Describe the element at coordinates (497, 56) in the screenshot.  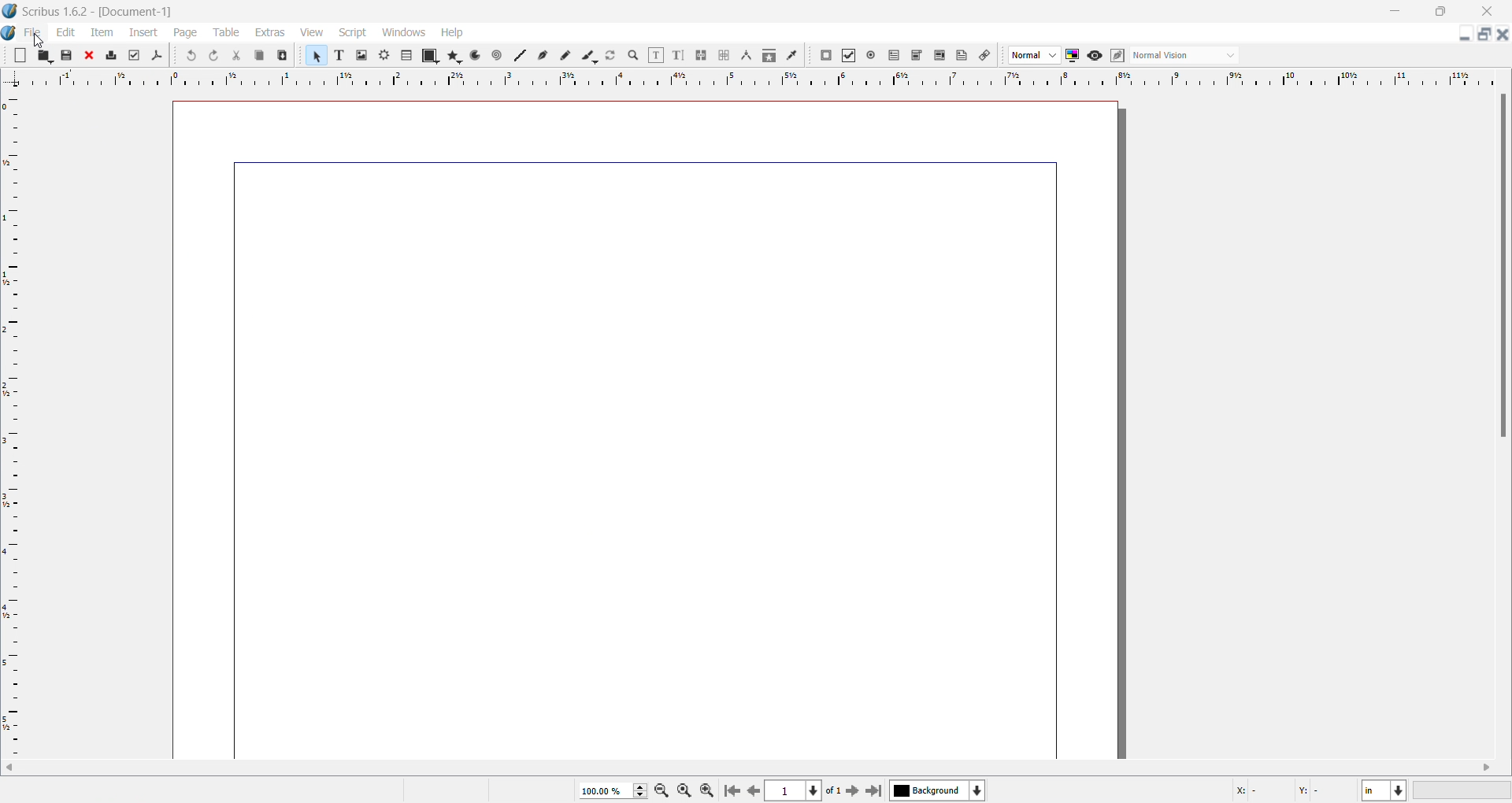
I see `icon` at that location.